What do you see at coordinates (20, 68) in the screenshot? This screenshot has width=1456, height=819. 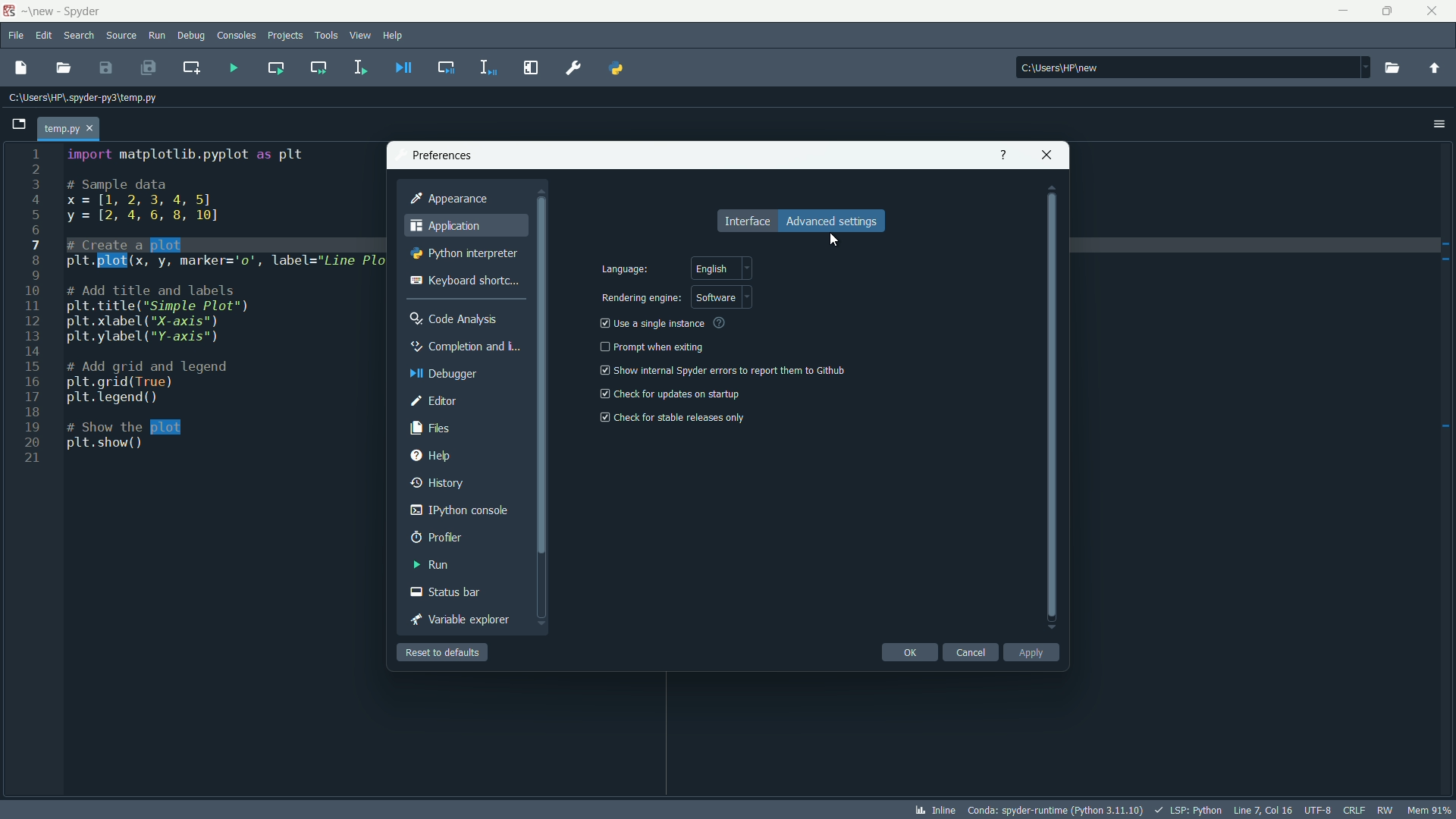 I see `open file` at bounding box center [20, 68].